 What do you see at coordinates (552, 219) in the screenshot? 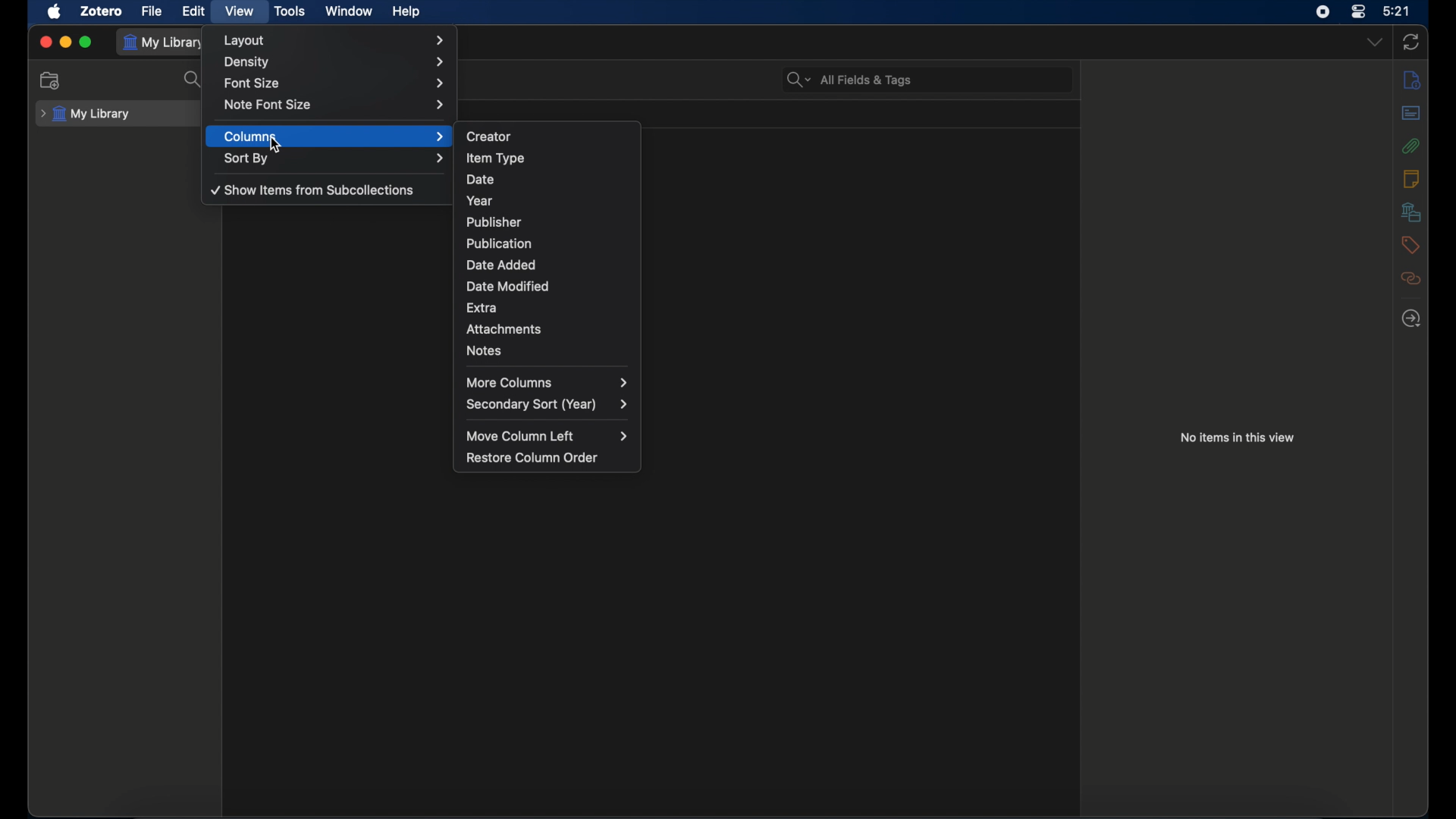
I see `publisher` at bounding box center [552, 219].